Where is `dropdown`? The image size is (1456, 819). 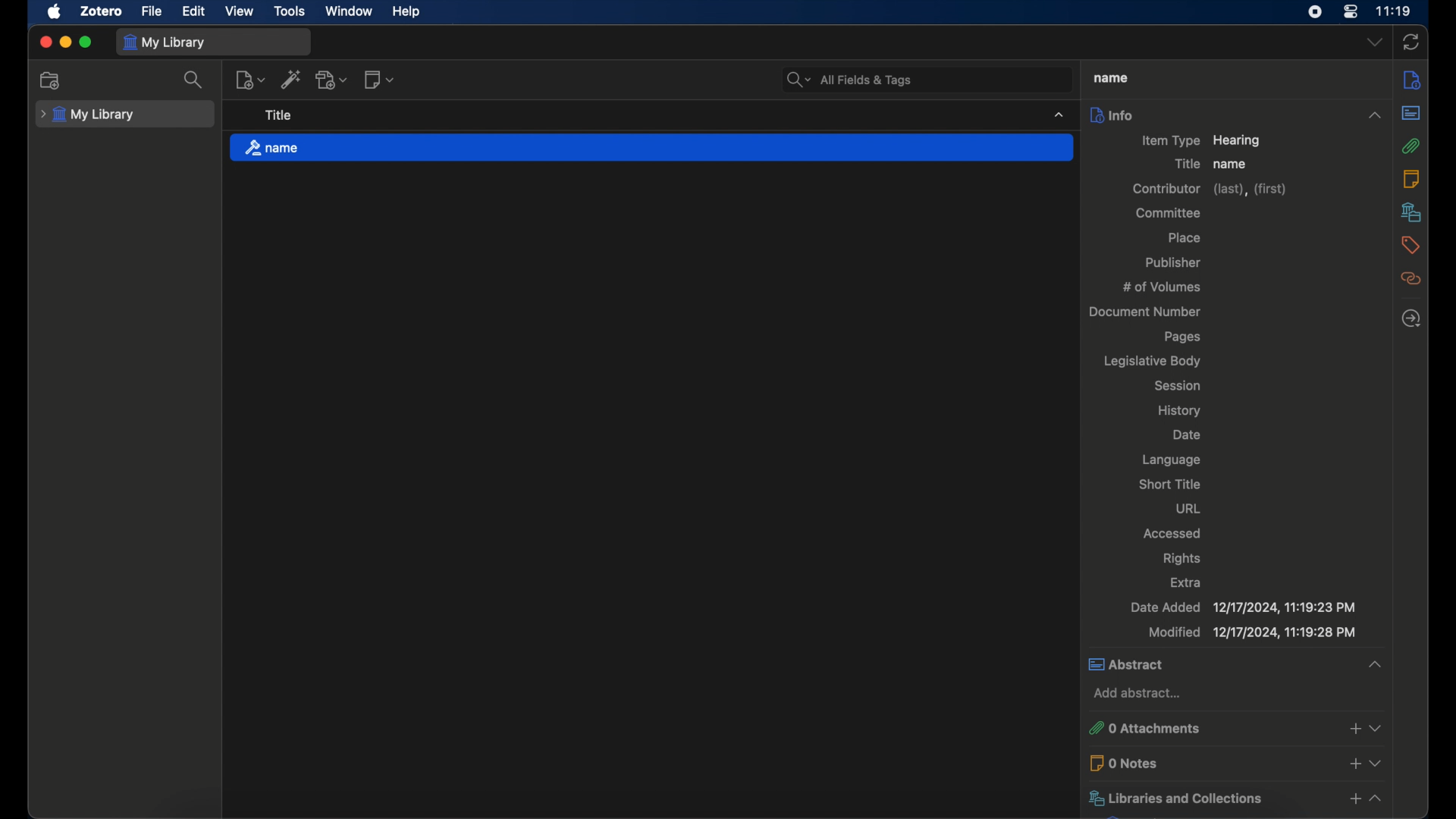 dropdown is located at coordinates (1057, 114).